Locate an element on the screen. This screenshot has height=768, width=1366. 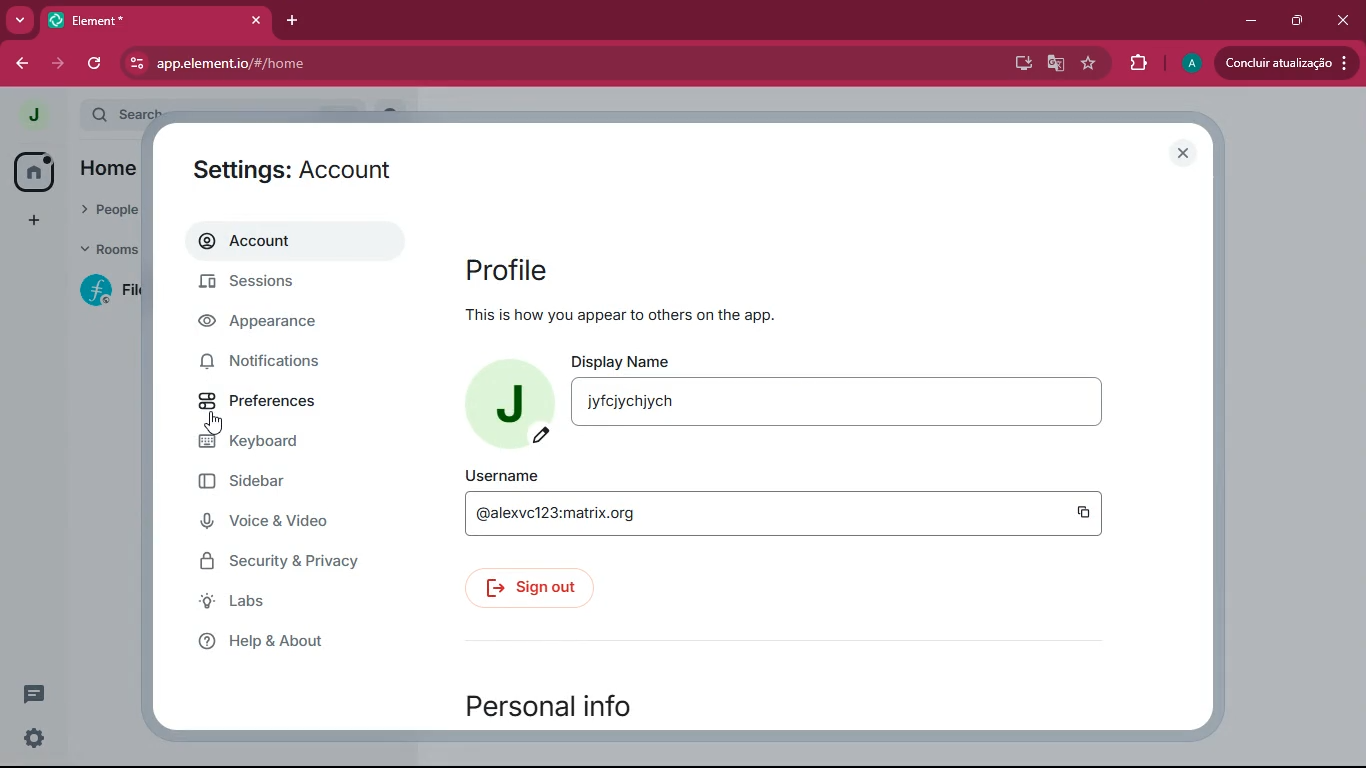
notifications is located at coordinates (277, 365).